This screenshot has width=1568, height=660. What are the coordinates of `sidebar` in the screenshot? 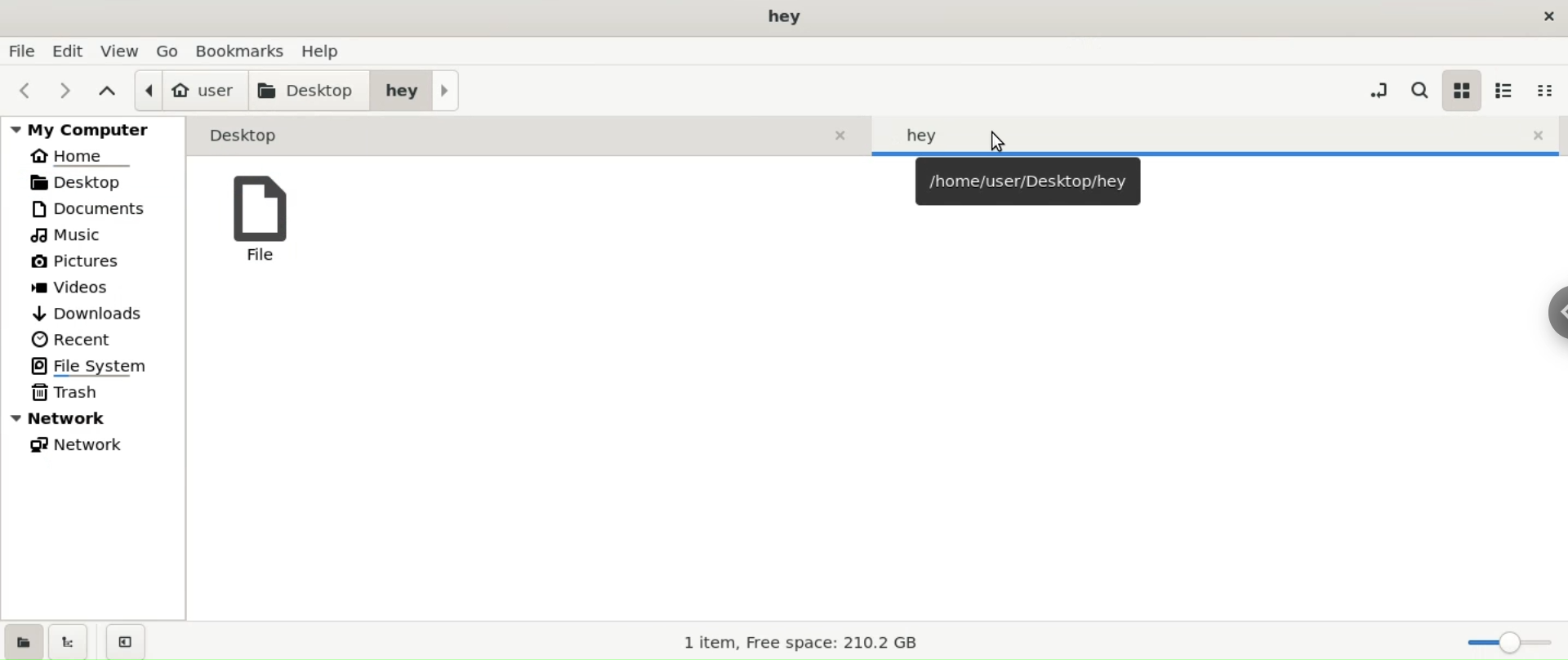 It's located at (1558, 313).